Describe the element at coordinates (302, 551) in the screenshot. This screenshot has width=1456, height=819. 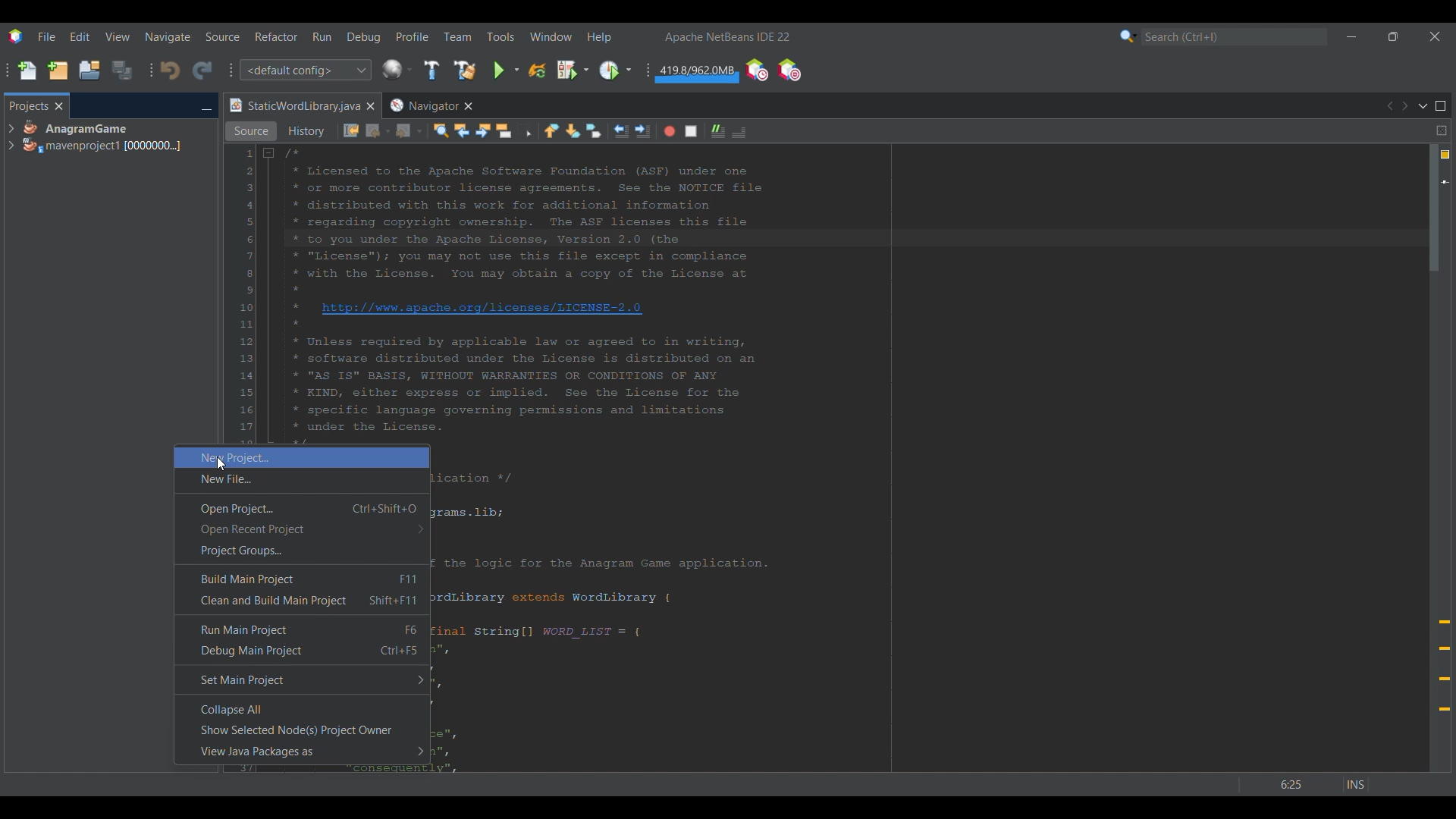
I see `Project groups` at that location.